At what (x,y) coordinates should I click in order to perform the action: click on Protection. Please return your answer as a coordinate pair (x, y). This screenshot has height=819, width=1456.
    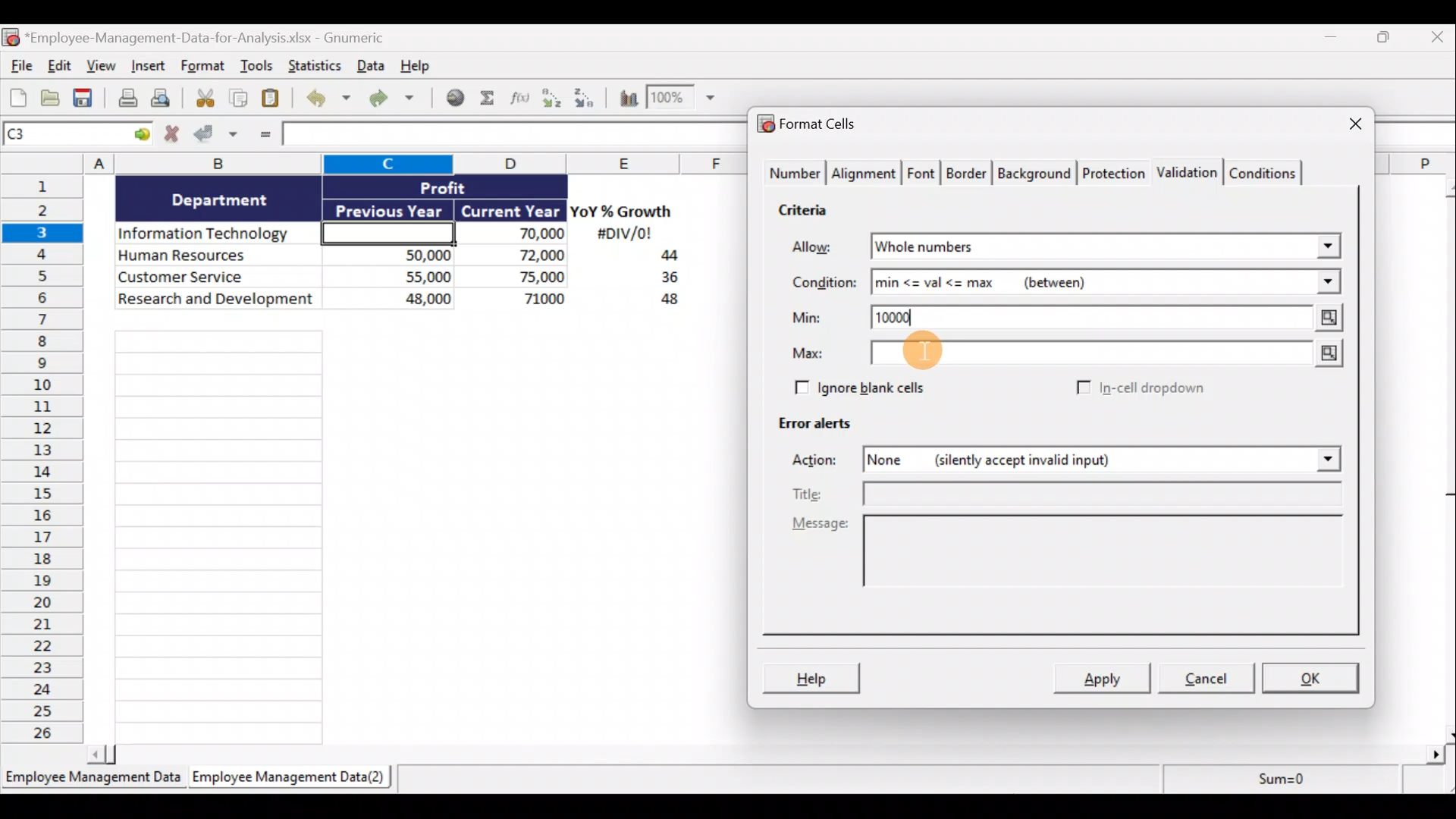
    Looking at the image, I should click on (1113, 171).